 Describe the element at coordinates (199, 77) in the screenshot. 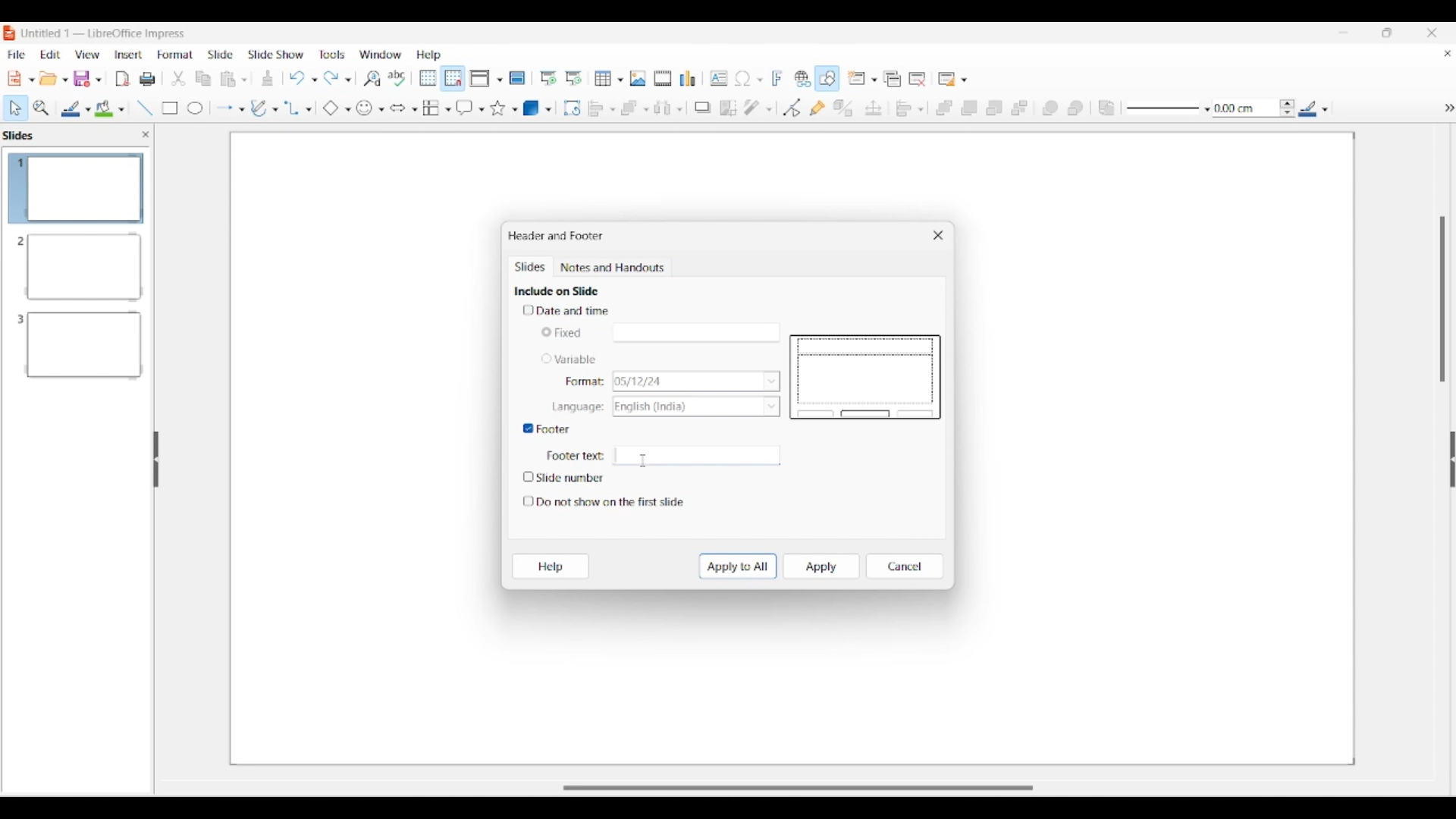

I see `Copy` at that location.